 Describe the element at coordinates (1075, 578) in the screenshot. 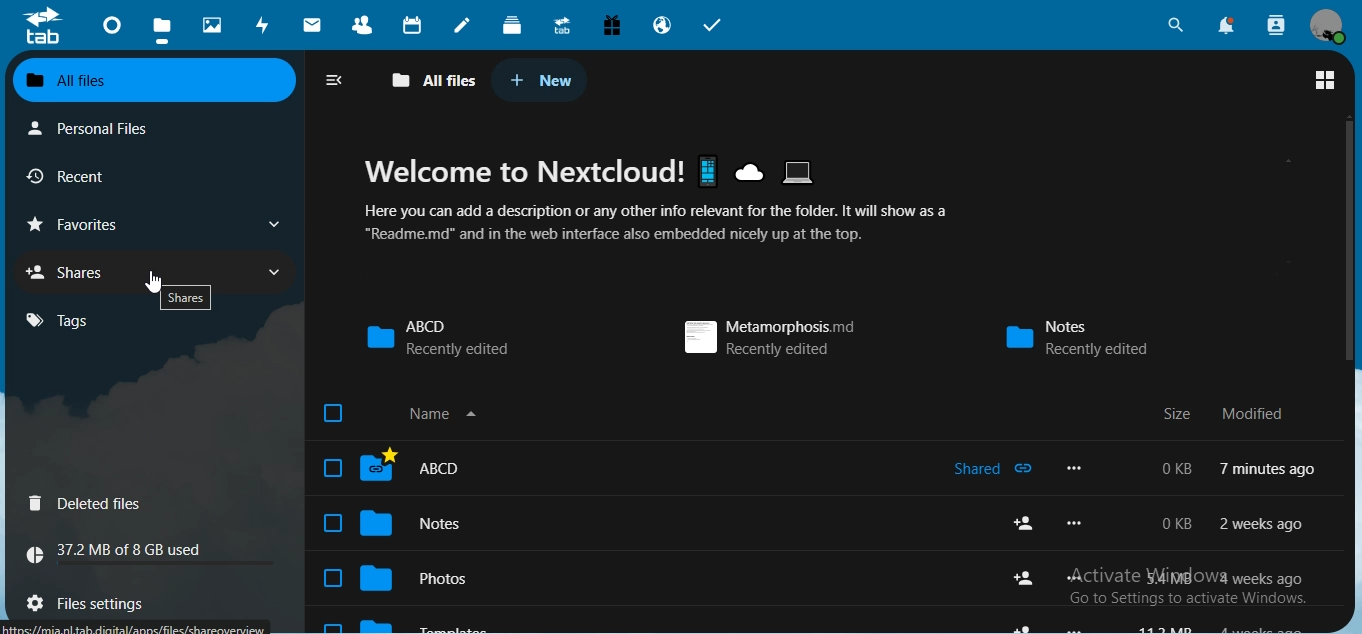

I see `more options` at that location.